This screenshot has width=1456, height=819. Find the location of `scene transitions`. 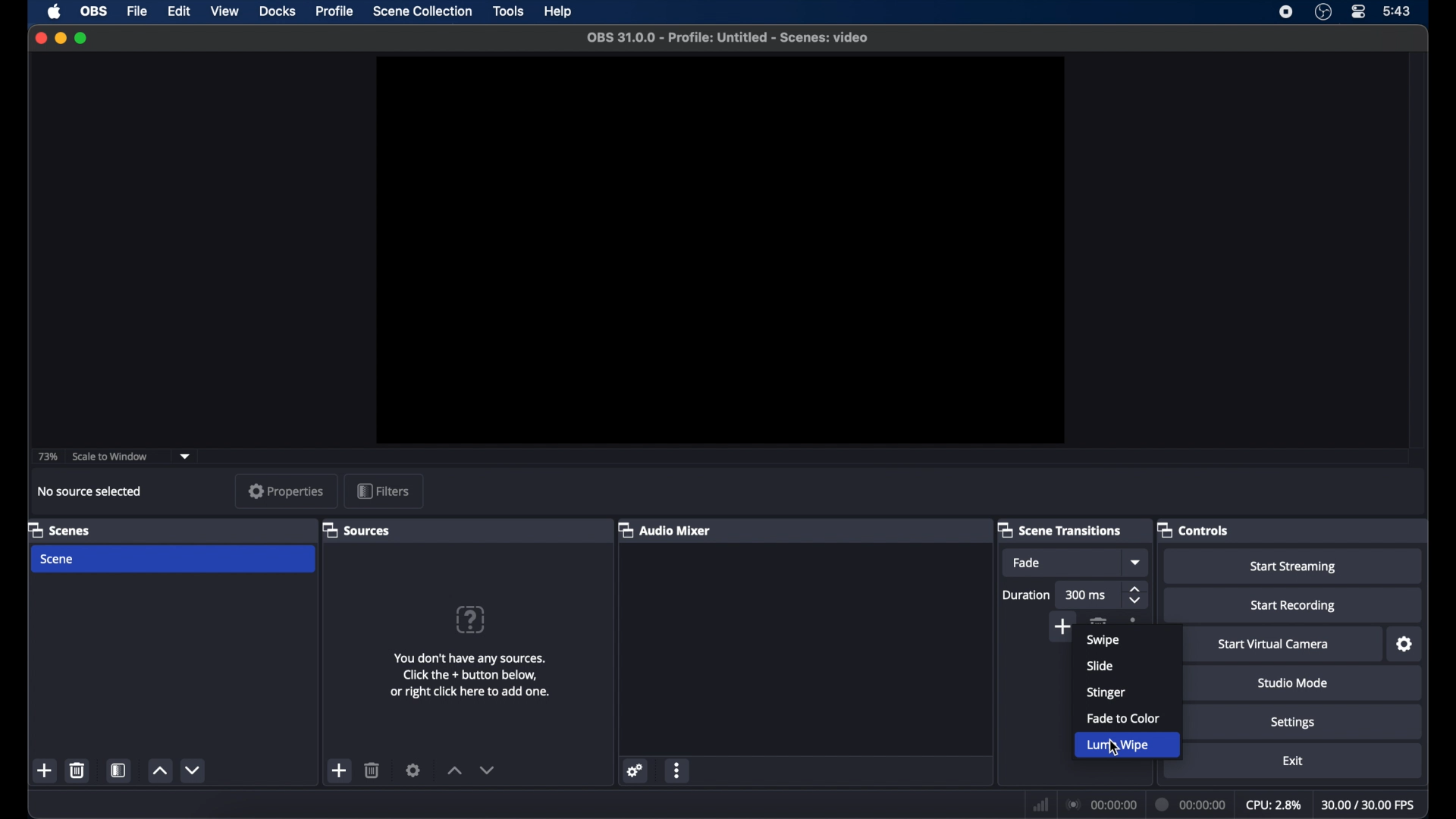

scene transitions is located at coordinates (1059, 530).